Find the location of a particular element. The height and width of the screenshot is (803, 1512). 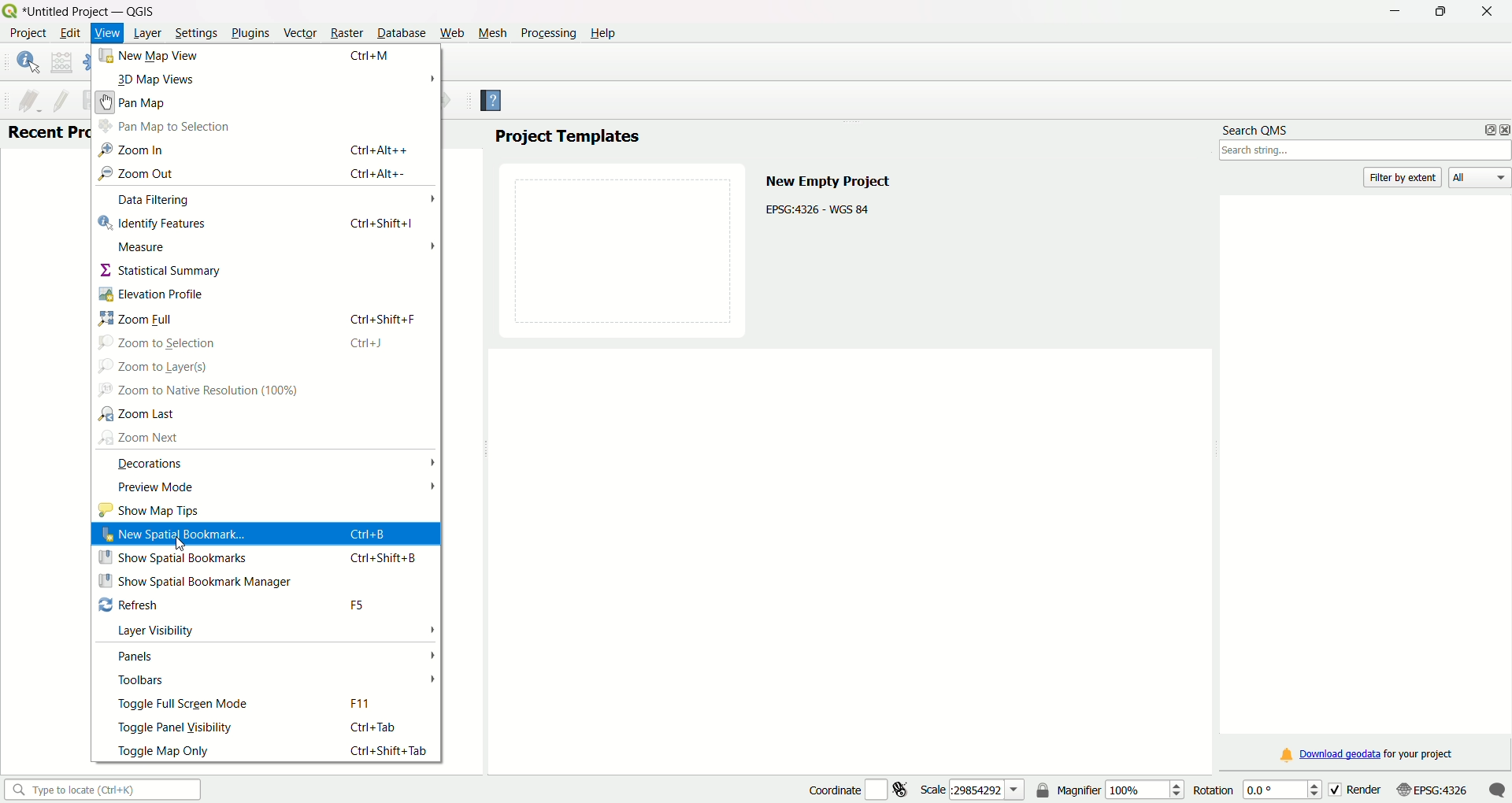

Maximize is located at coordinates (1440, 13).